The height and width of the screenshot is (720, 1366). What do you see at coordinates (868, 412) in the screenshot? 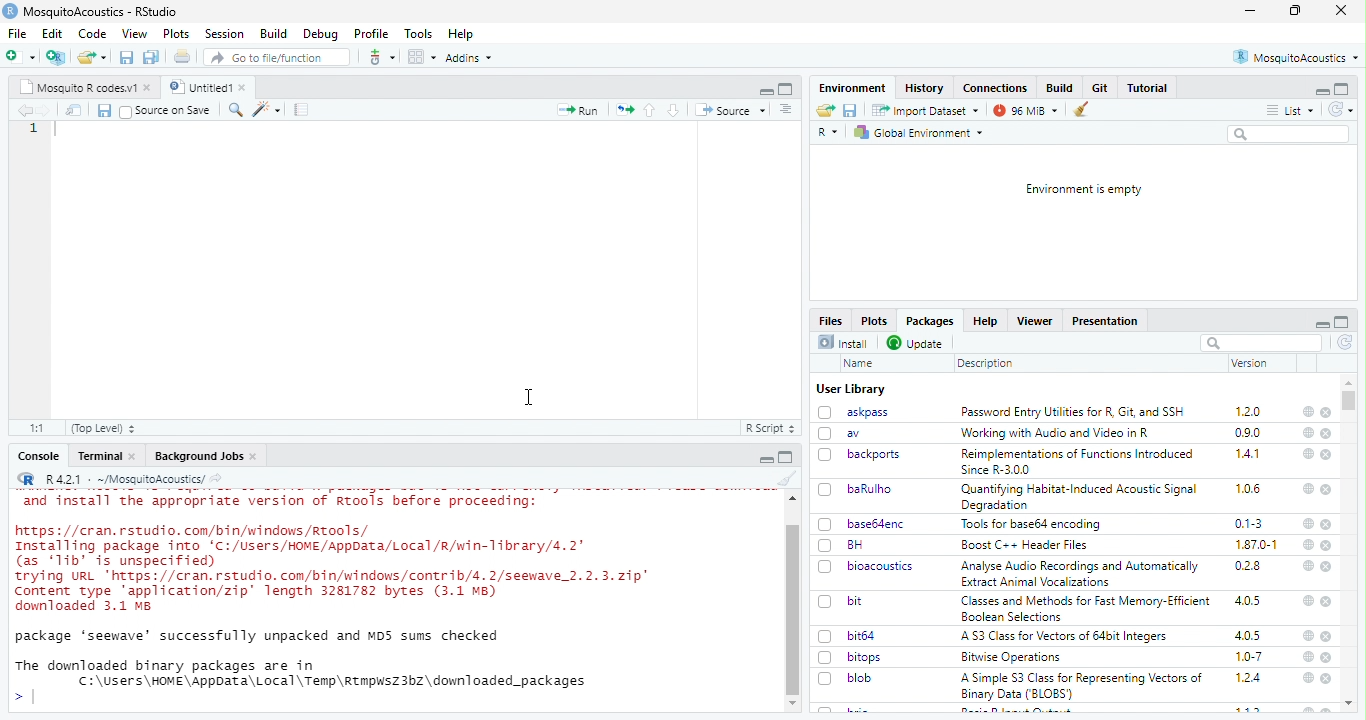
I see `askpass` at bounding box center [868, 412].